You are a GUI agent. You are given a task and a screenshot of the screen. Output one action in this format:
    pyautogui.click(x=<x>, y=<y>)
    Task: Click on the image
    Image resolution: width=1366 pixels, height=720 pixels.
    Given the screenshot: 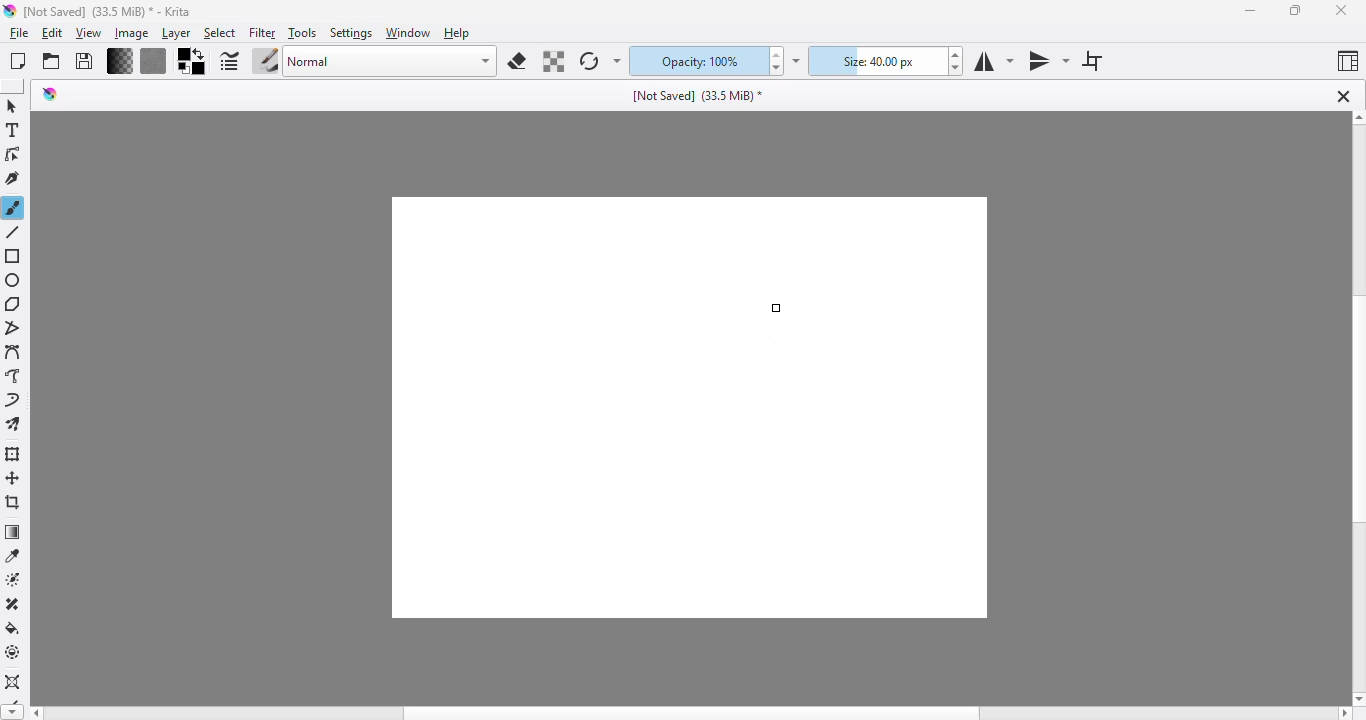 What is the action you would take?
    pyautogui.click(x=131, y=33)
    